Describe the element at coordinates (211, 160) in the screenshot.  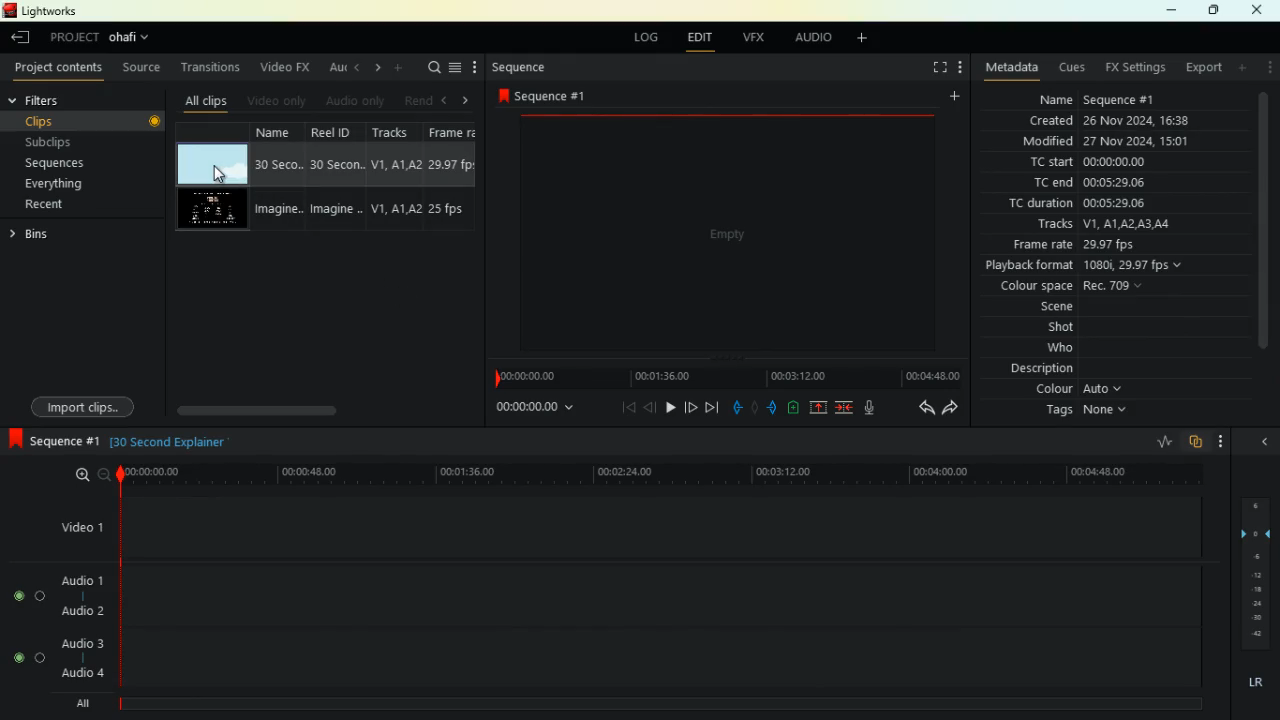
I see `video` at that location.